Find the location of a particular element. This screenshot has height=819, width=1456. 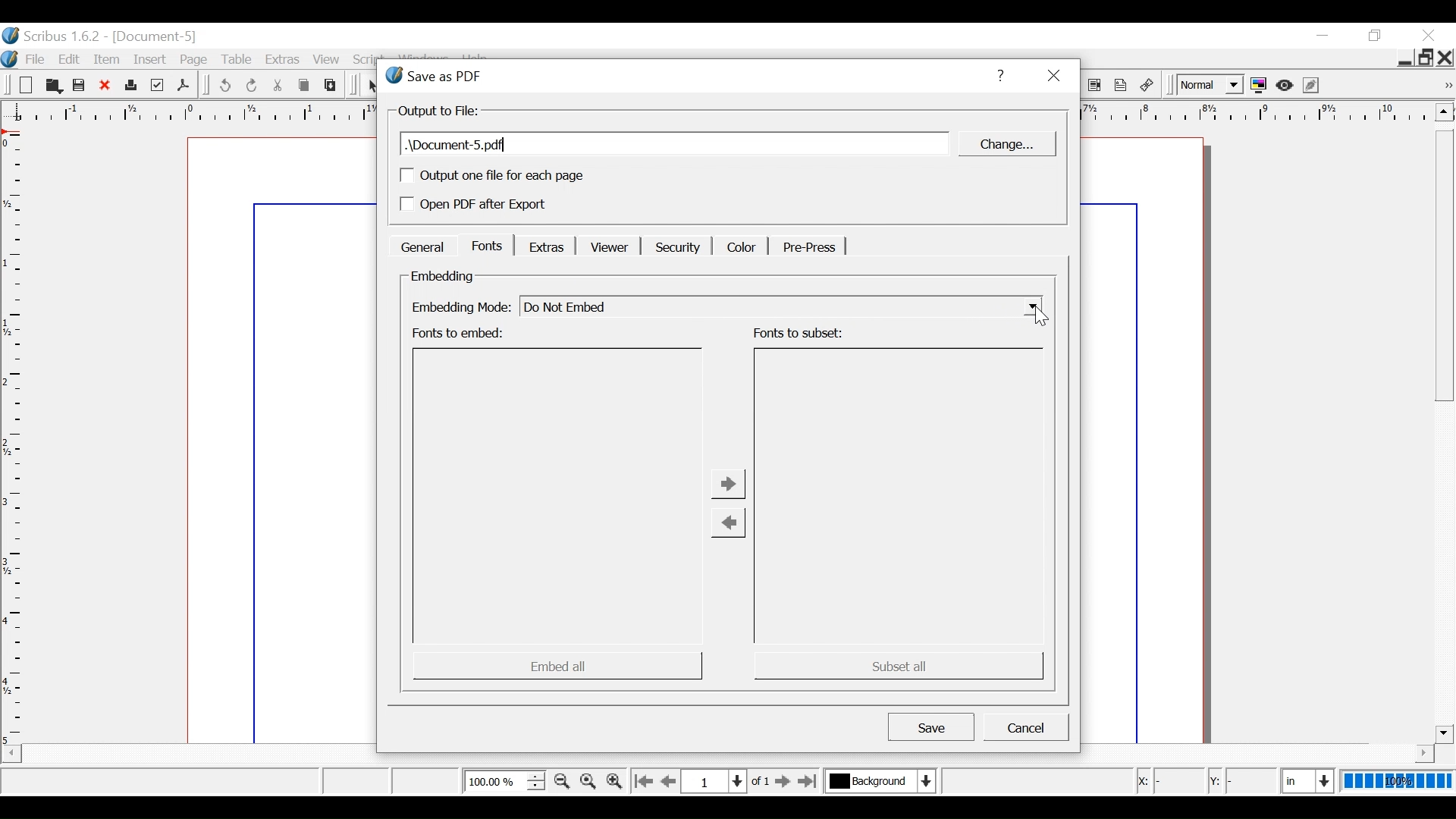

Y Coordintae is located at coordinates (1241, 782).